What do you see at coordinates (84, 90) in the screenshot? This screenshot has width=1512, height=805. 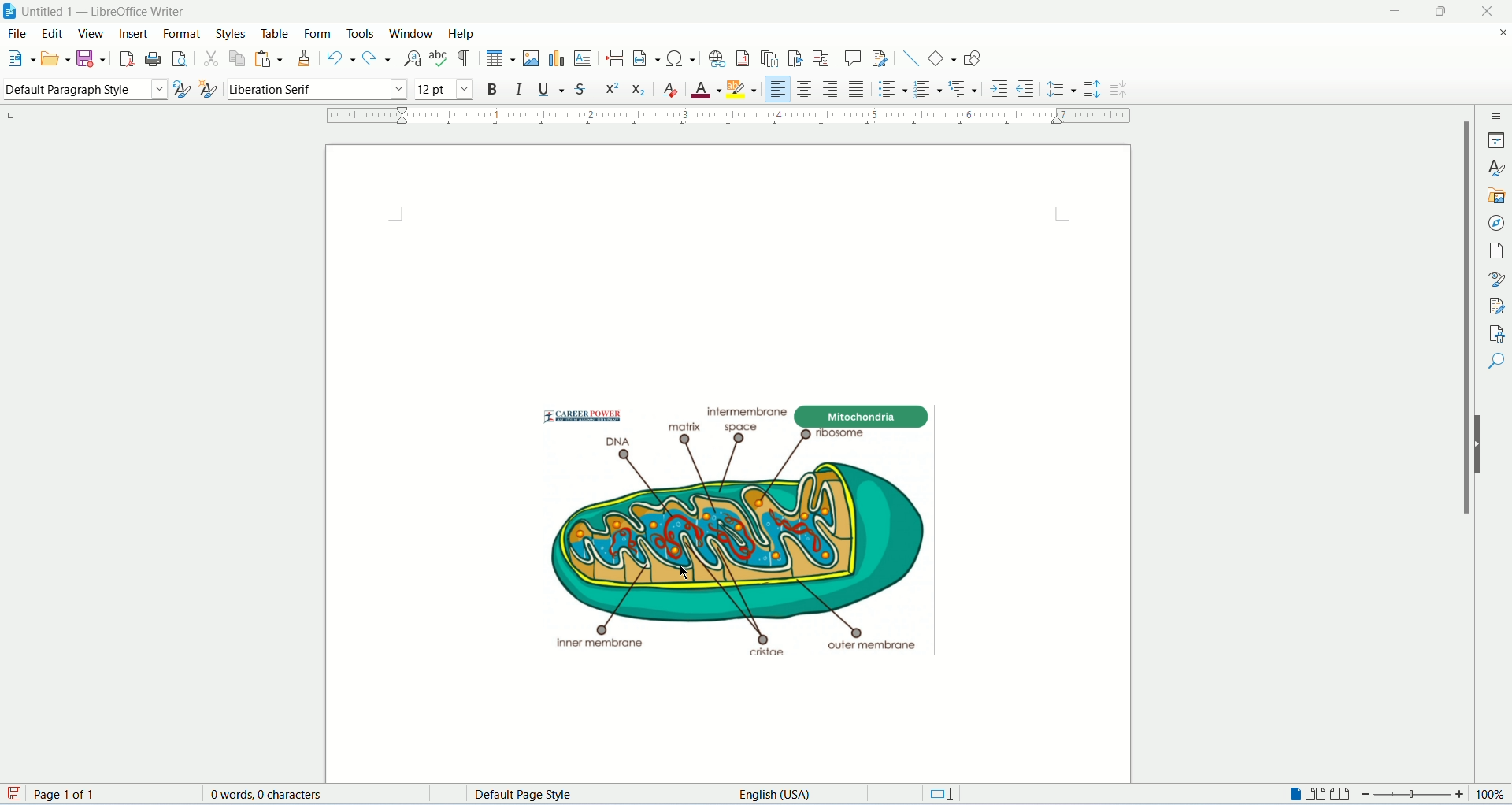 I see `paragraph style` at bounding box center [84, 90].